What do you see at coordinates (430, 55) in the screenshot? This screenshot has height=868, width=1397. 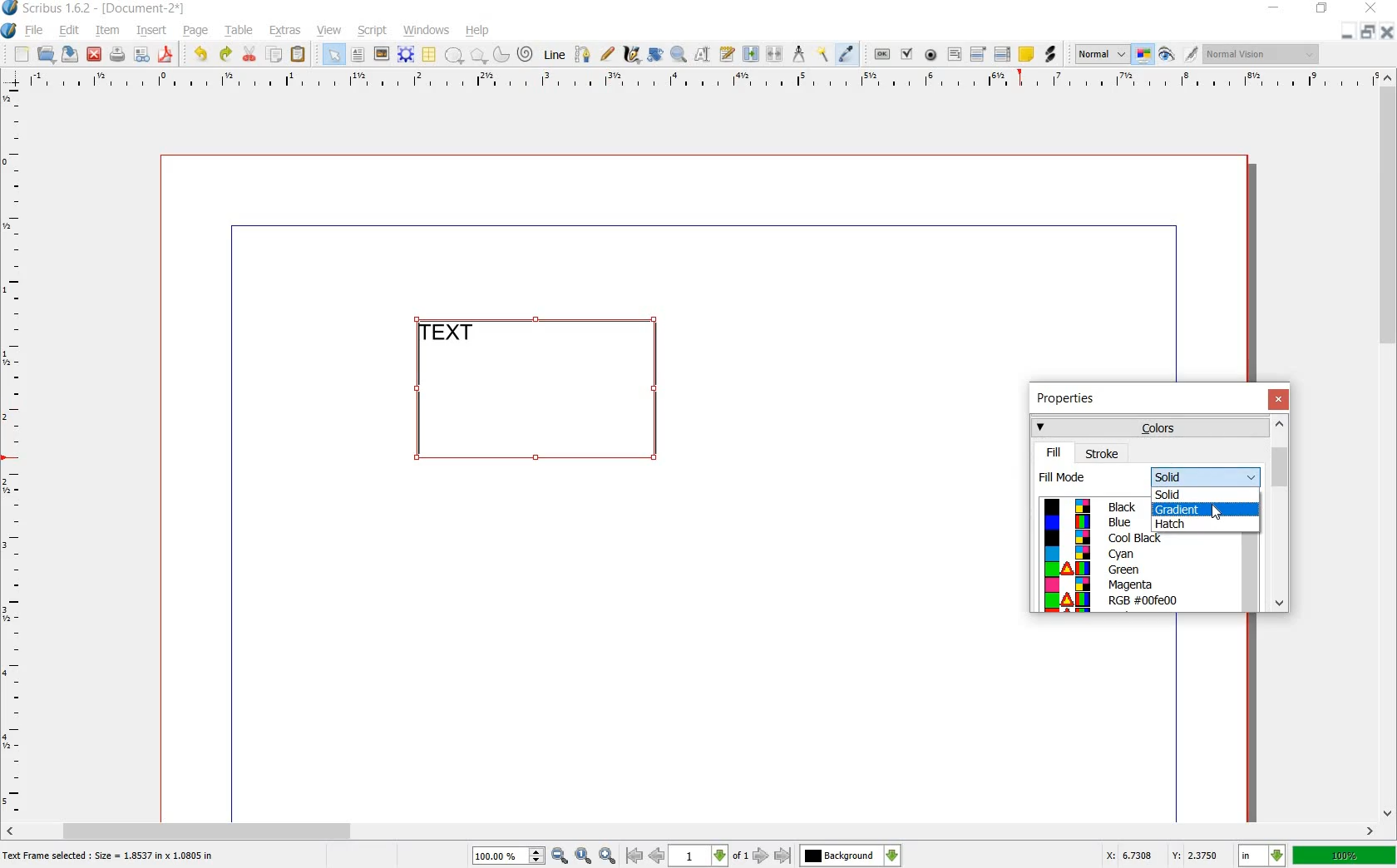 I see `table` at bounding box center [430, 55].